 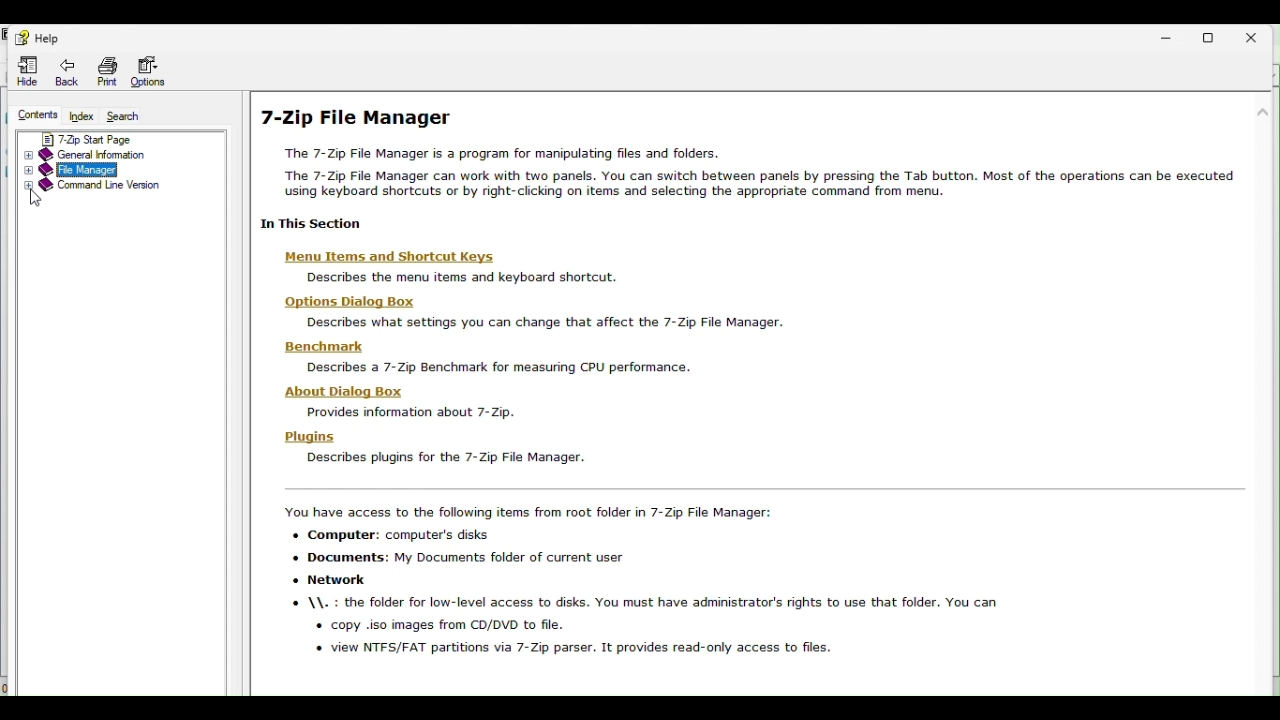 What do you see at coordinates (413, 413) in the screenshot?
I see `Provides information about 7-Zip.` at bounding box center [413, 413].